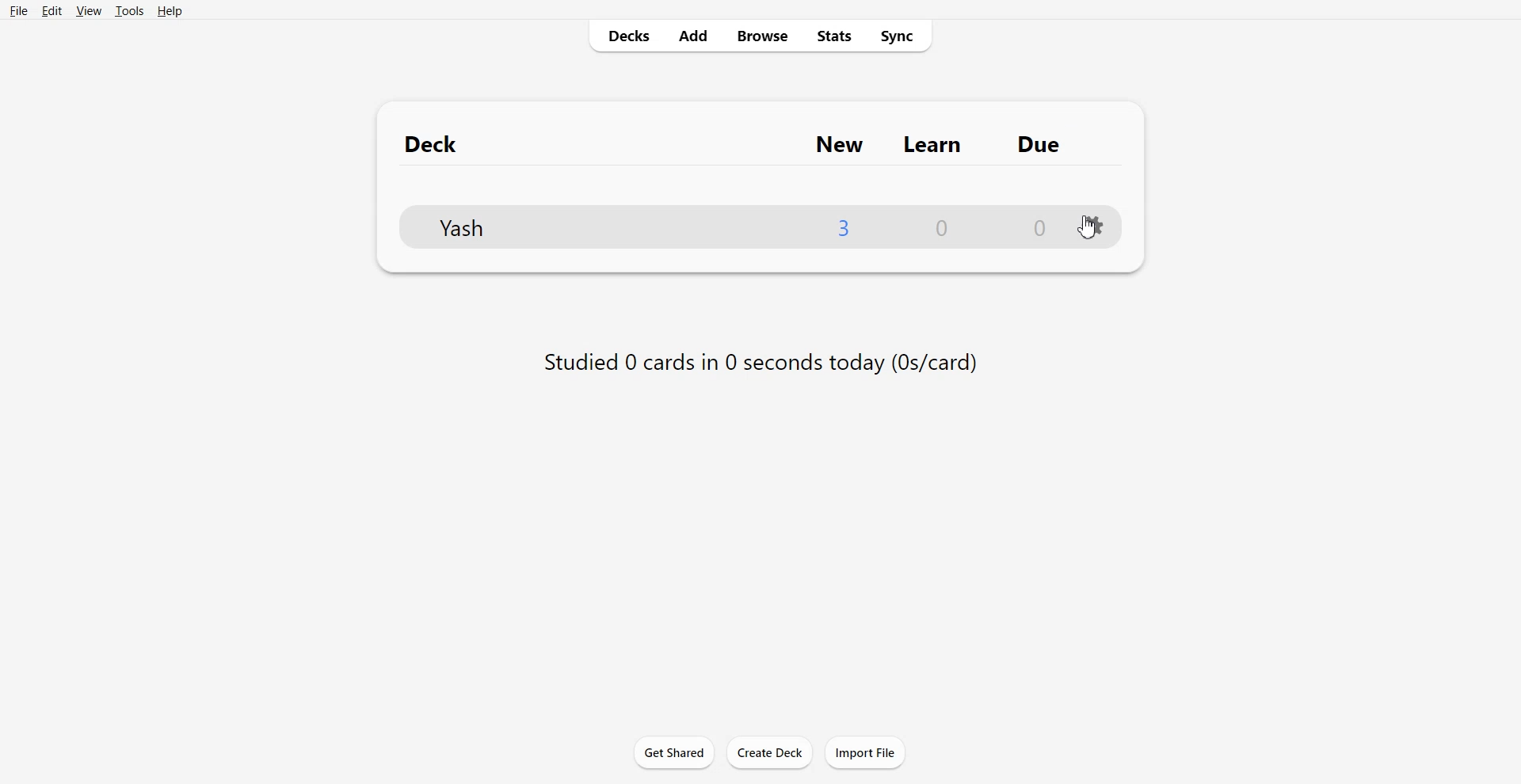  Describe the element at coordinates (899, 36) in the screenshot. I see `Sync` at that location.